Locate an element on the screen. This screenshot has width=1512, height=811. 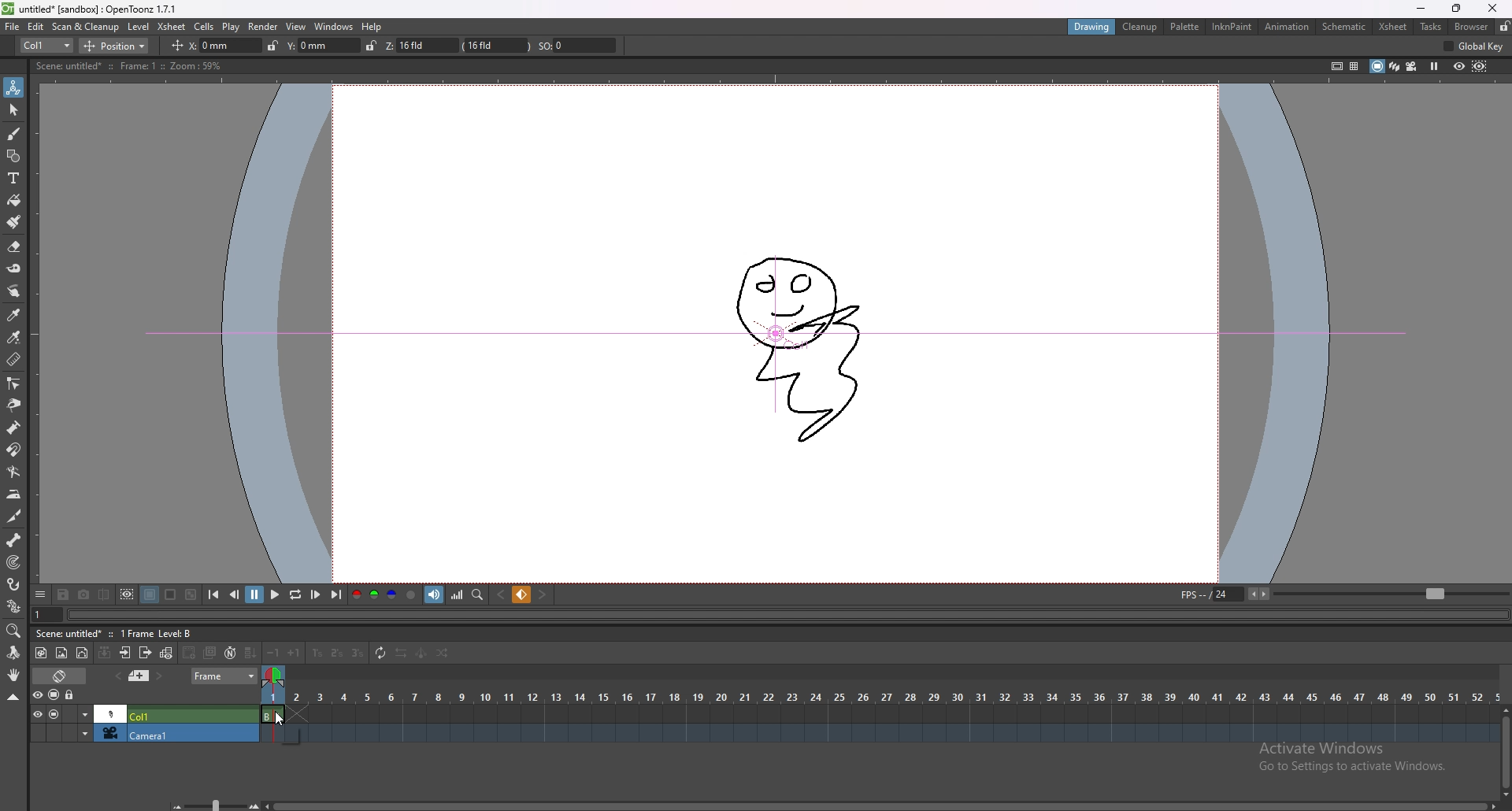
rotate is located at coordinates (13, 653).